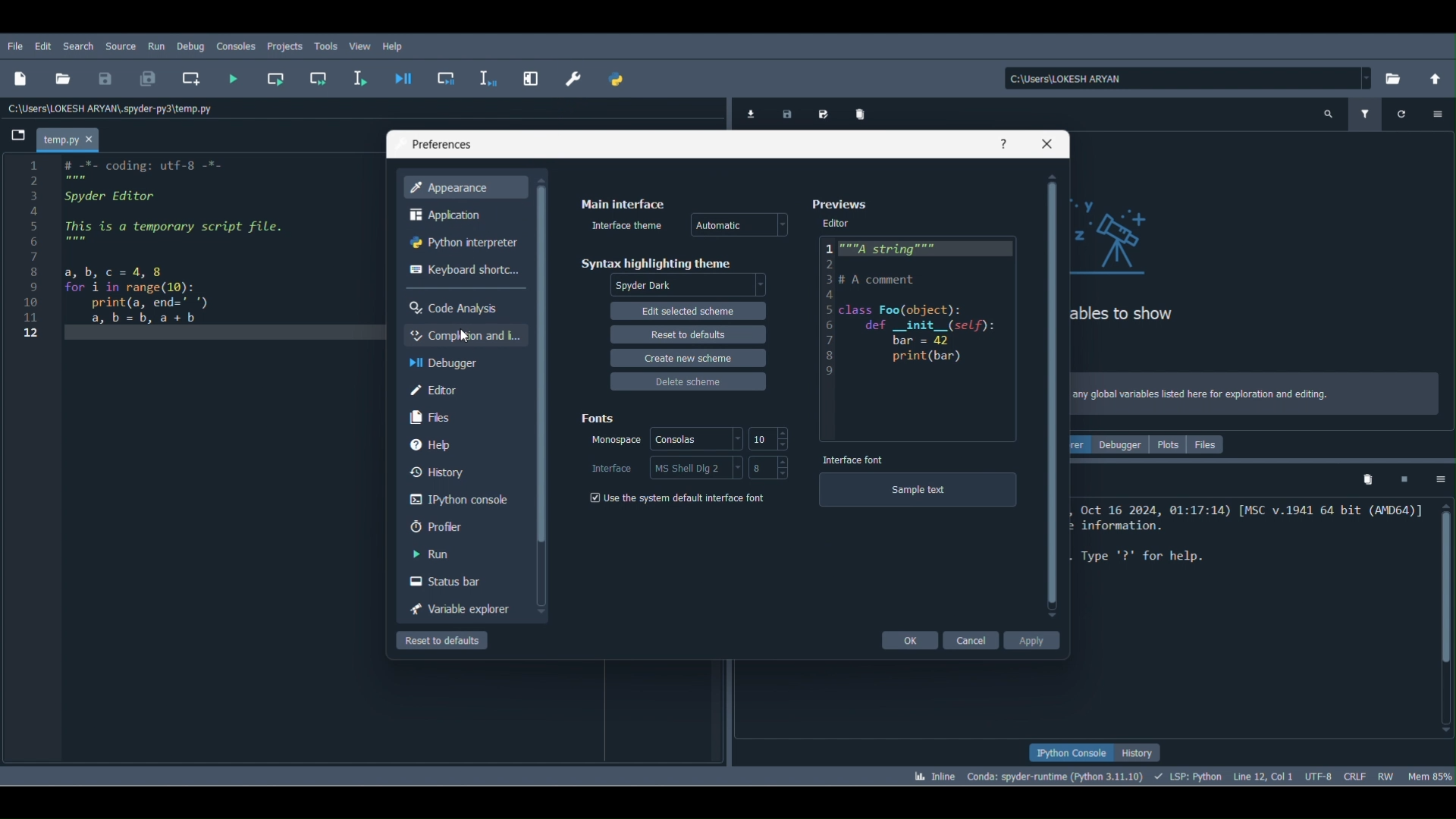  I want to click on Debug selection or current line, so click(490, 80).